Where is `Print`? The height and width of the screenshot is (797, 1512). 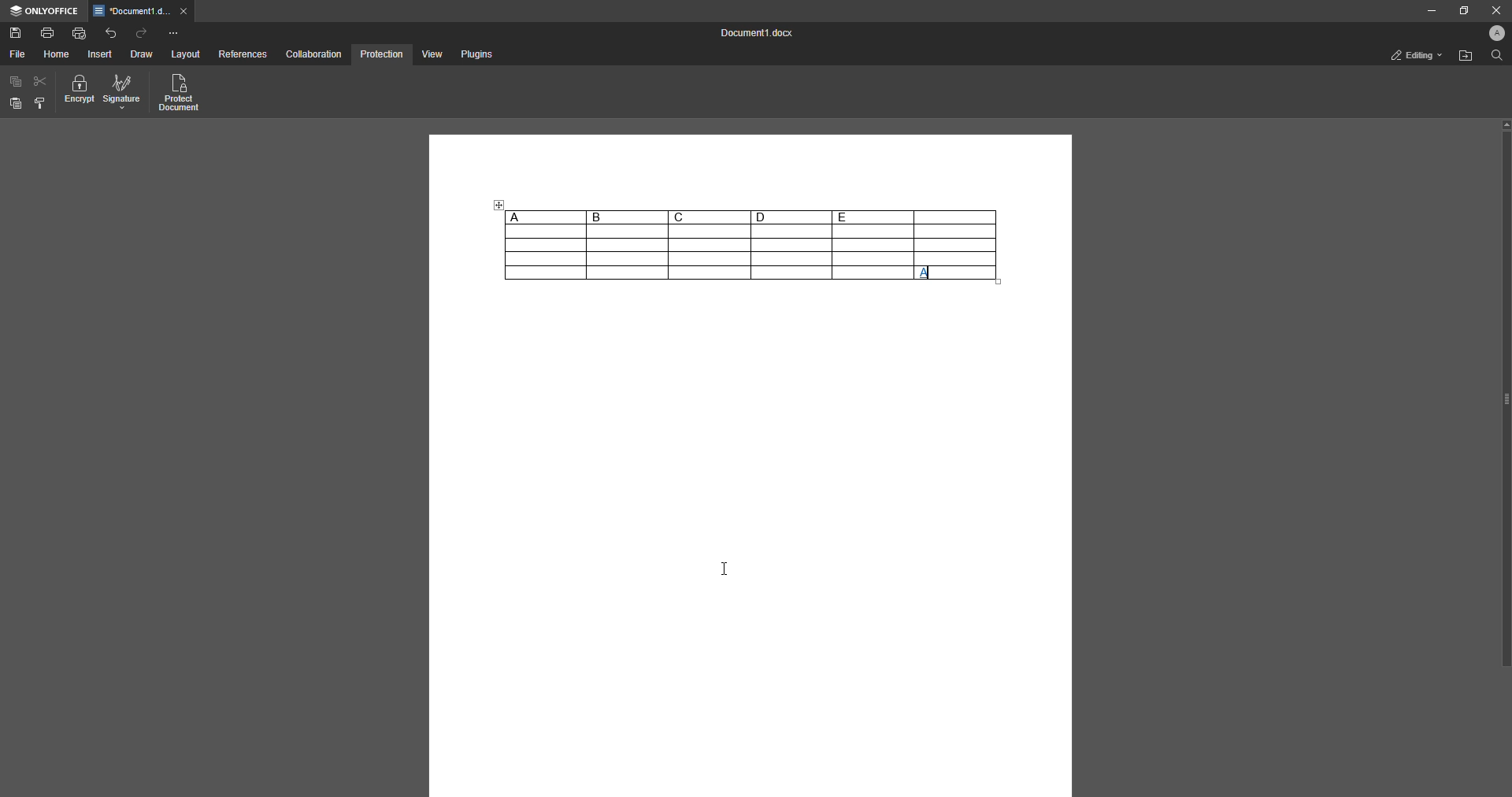 Print is located at coordinates (48, 32).